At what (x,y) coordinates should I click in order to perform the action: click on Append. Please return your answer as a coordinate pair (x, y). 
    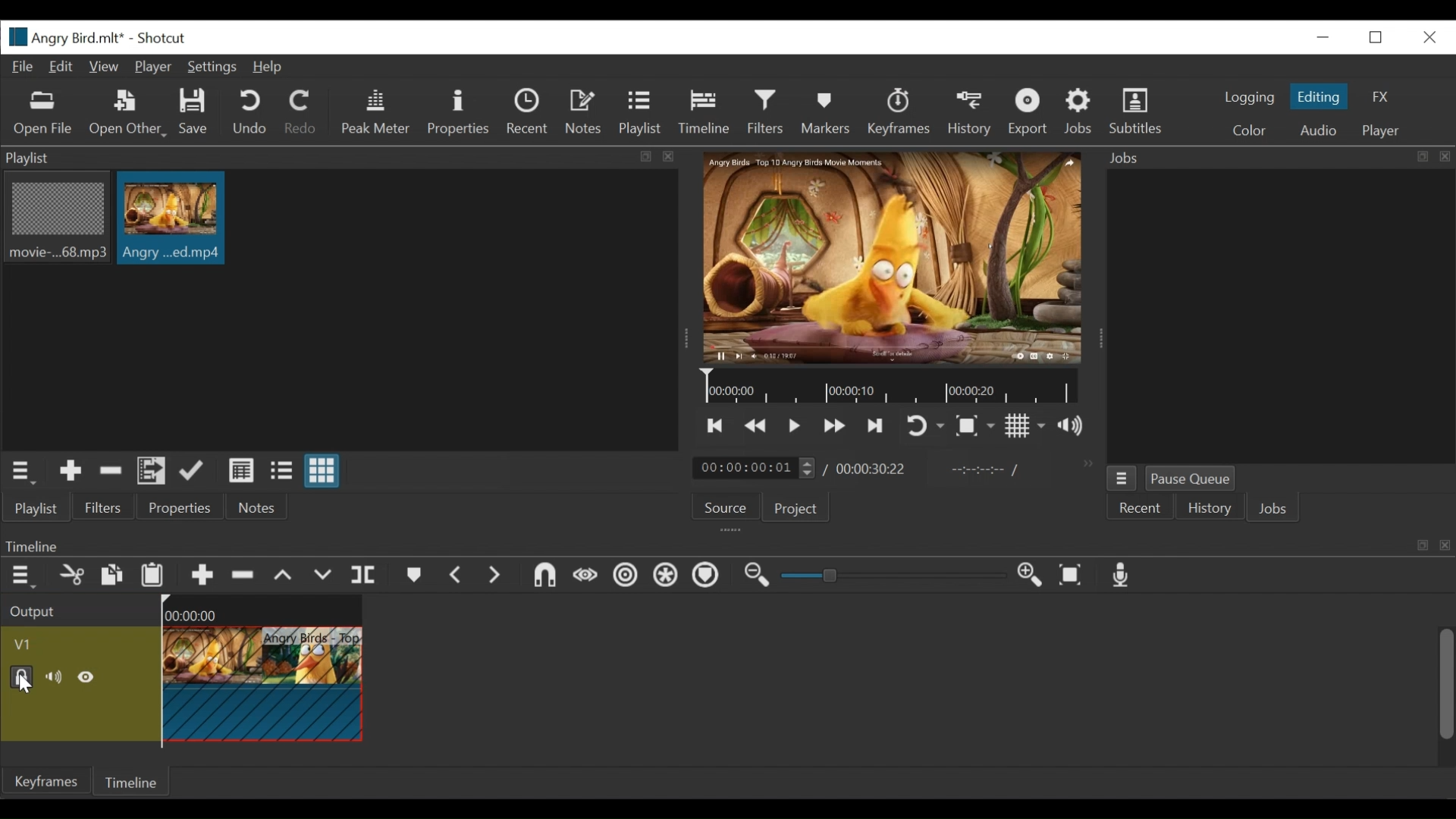
    Looking at the image, I should click on (201, 576).